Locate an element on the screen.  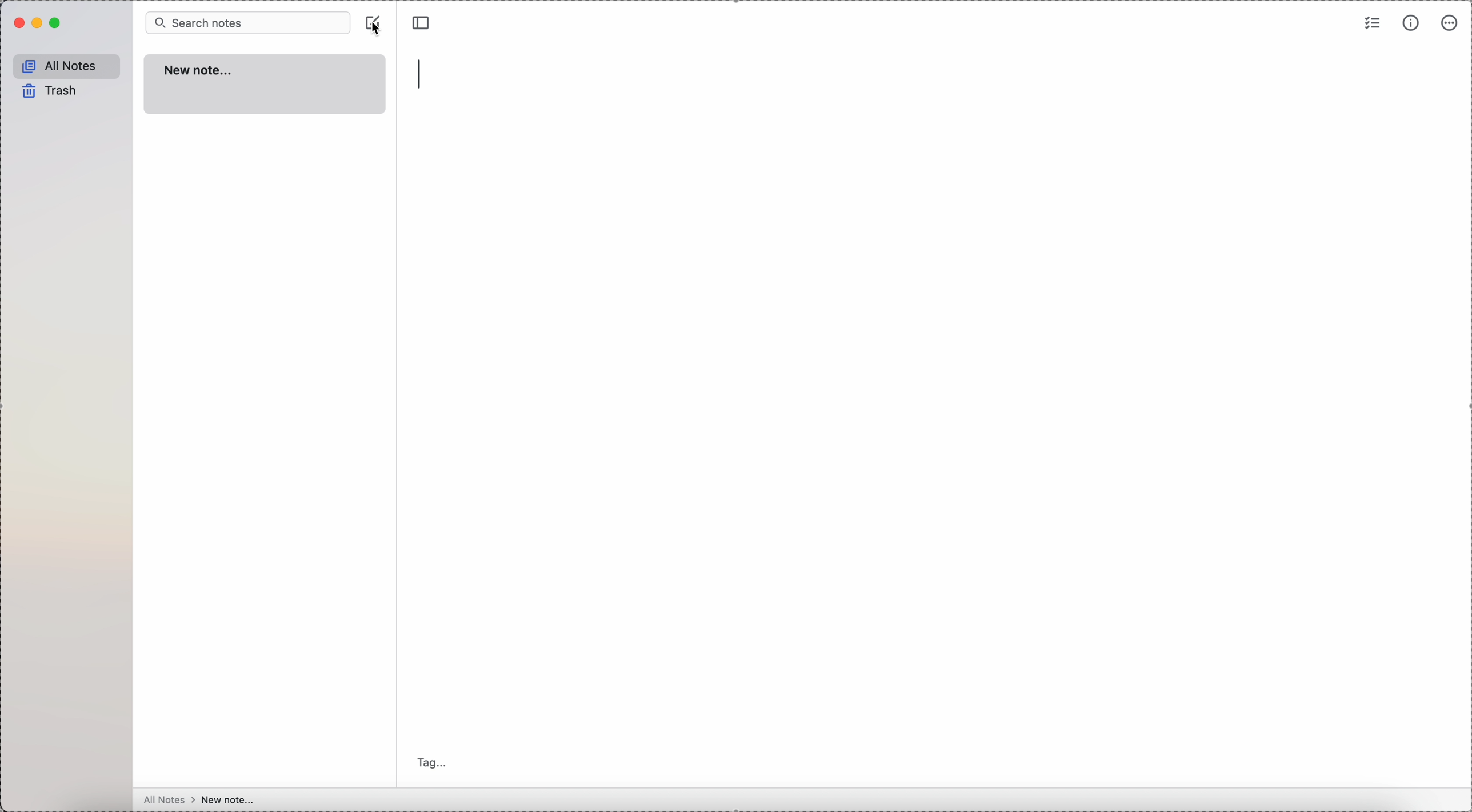
all notes > new note is located at coordinates (198, 800).